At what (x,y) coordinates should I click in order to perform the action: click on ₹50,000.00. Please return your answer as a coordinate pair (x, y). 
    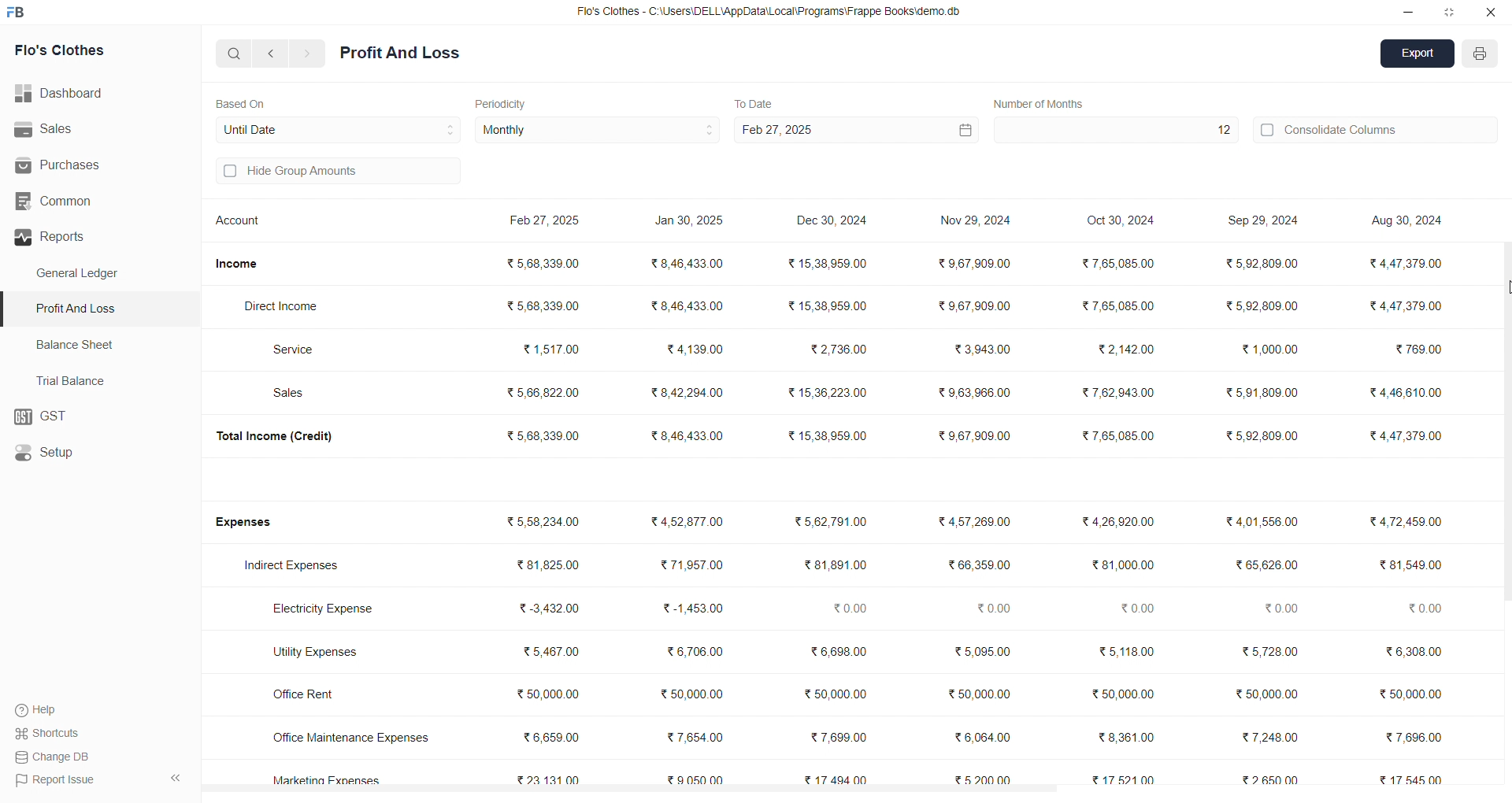
    Looking at the image, I should click on (1125, 694).